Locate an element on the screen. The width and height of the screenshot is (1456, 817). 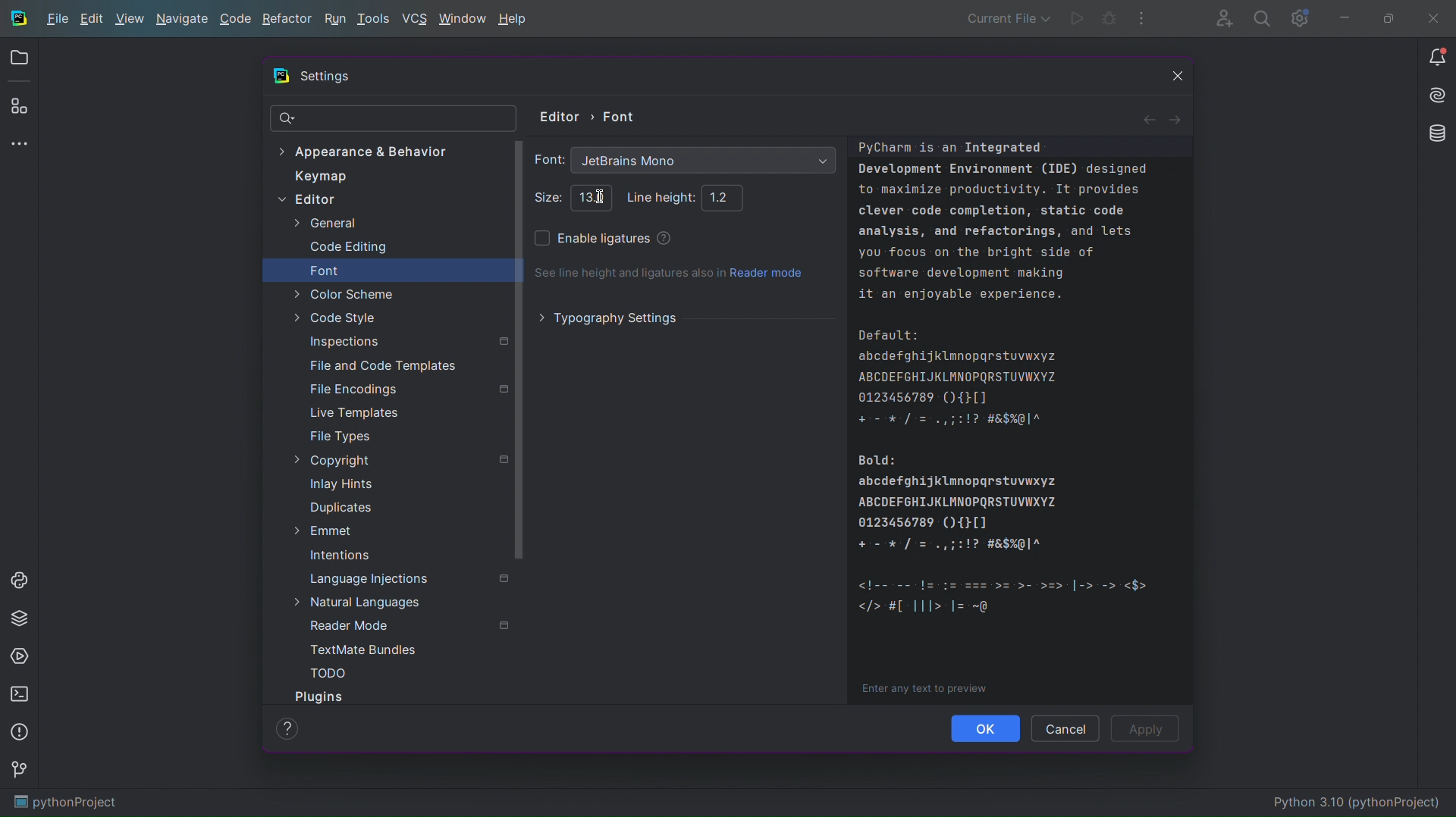
Code is located at coordinates (236, 21).